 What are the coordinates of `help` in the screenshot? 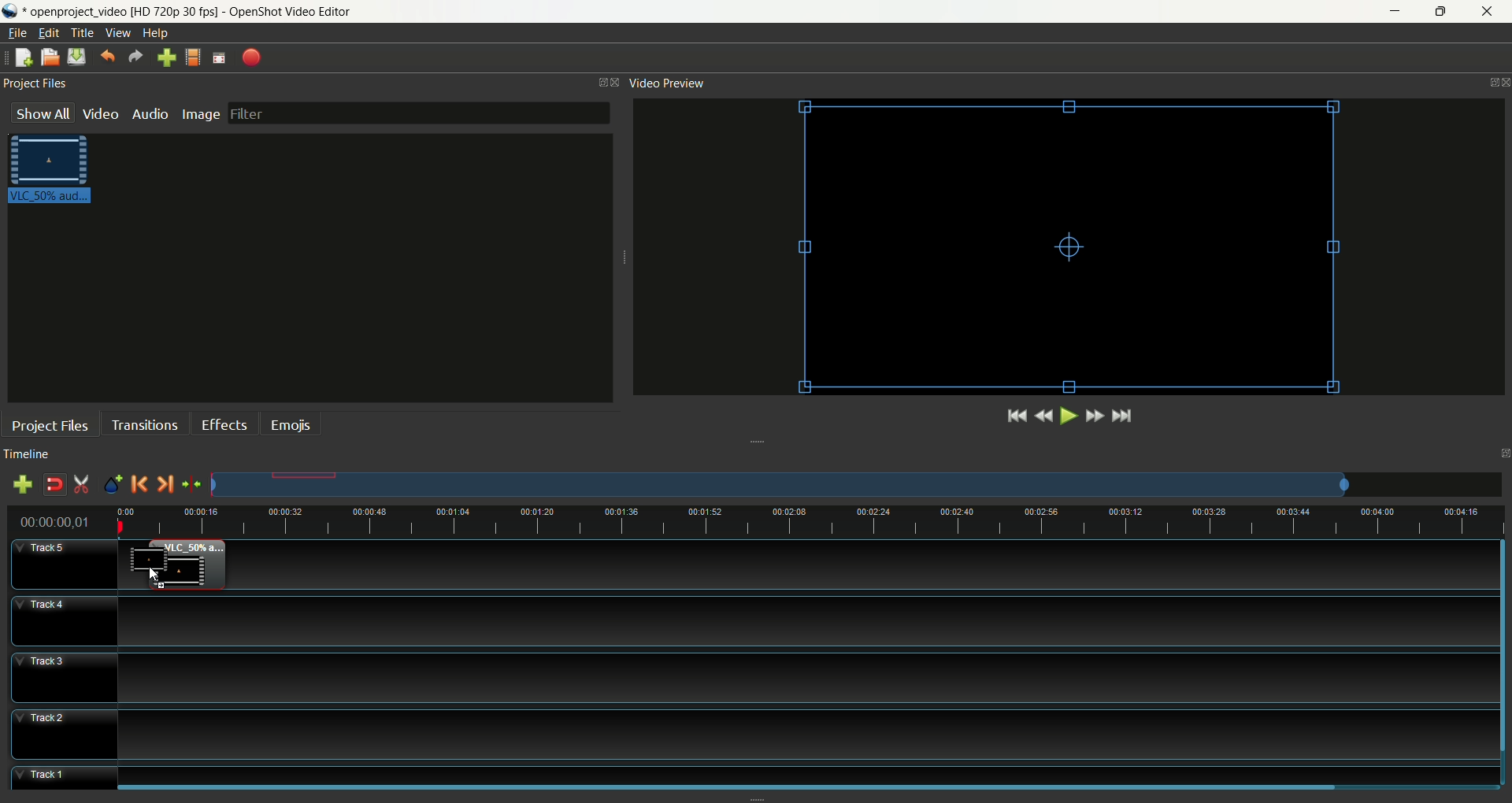 It's located at (154, 34).